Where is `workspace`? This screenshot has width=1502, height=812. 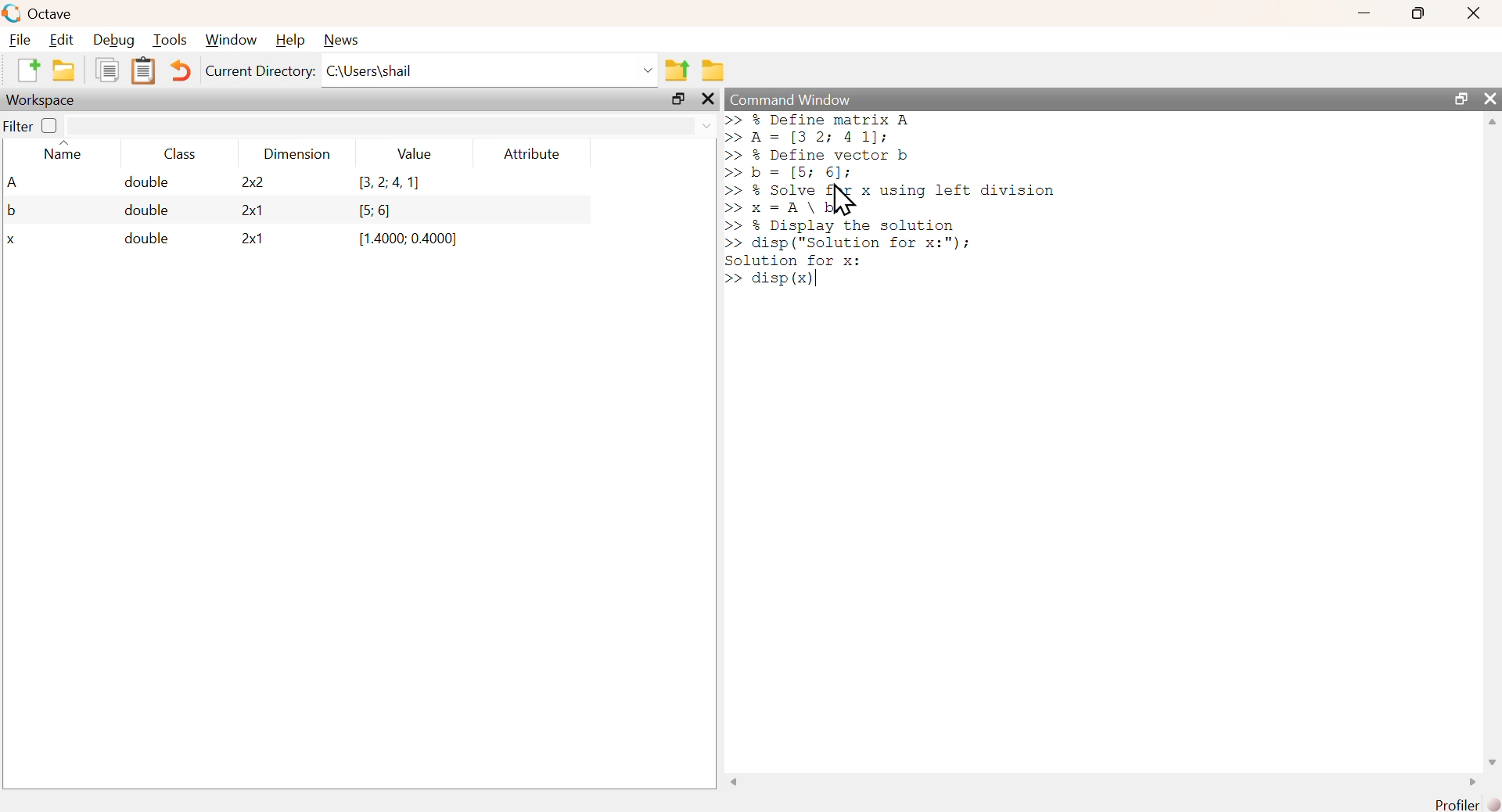
workspace is located at coordinates (43, 100).